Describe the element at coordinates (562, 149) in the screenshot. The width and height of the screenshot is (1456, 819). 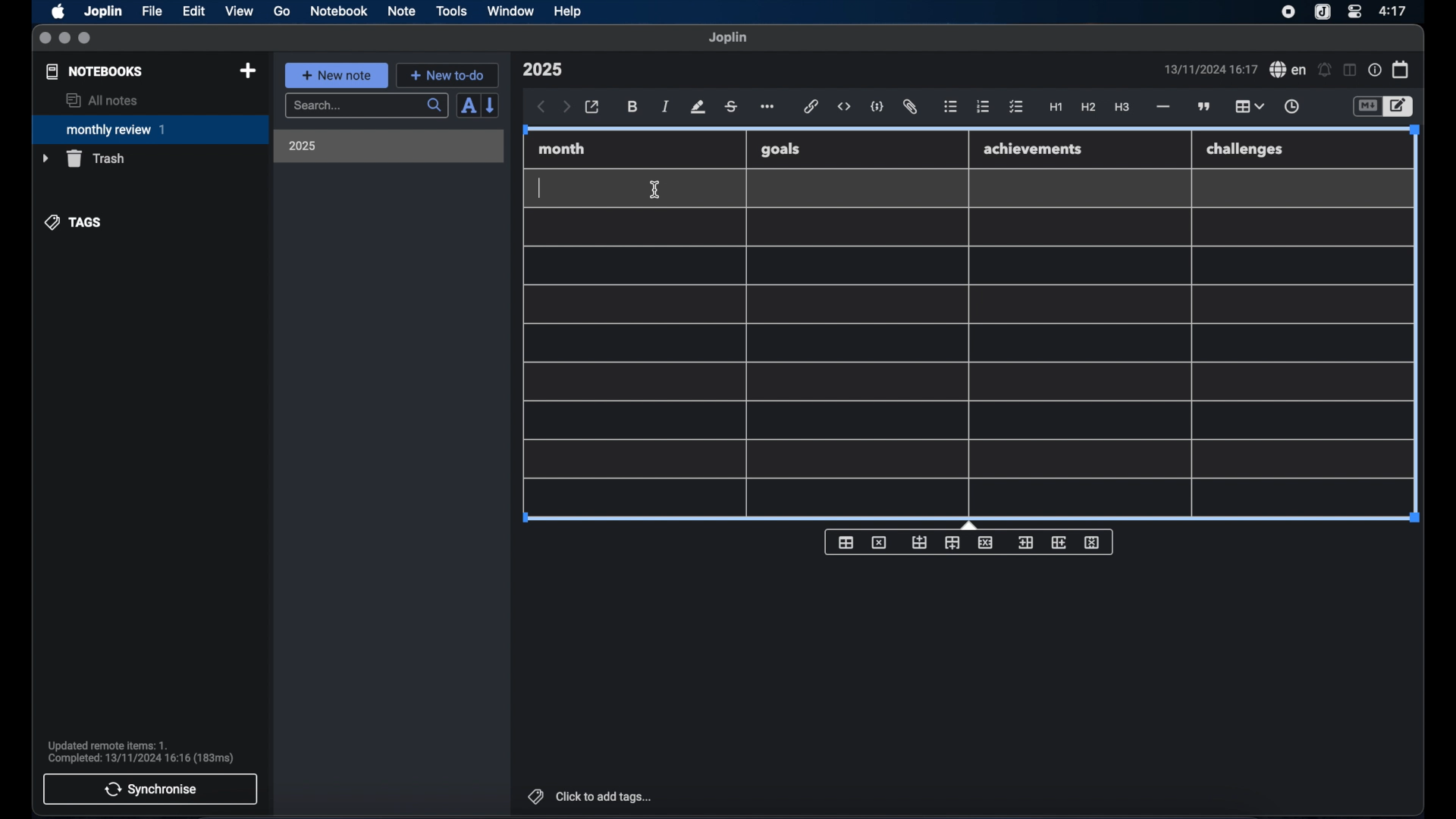
I see `month` at that location.